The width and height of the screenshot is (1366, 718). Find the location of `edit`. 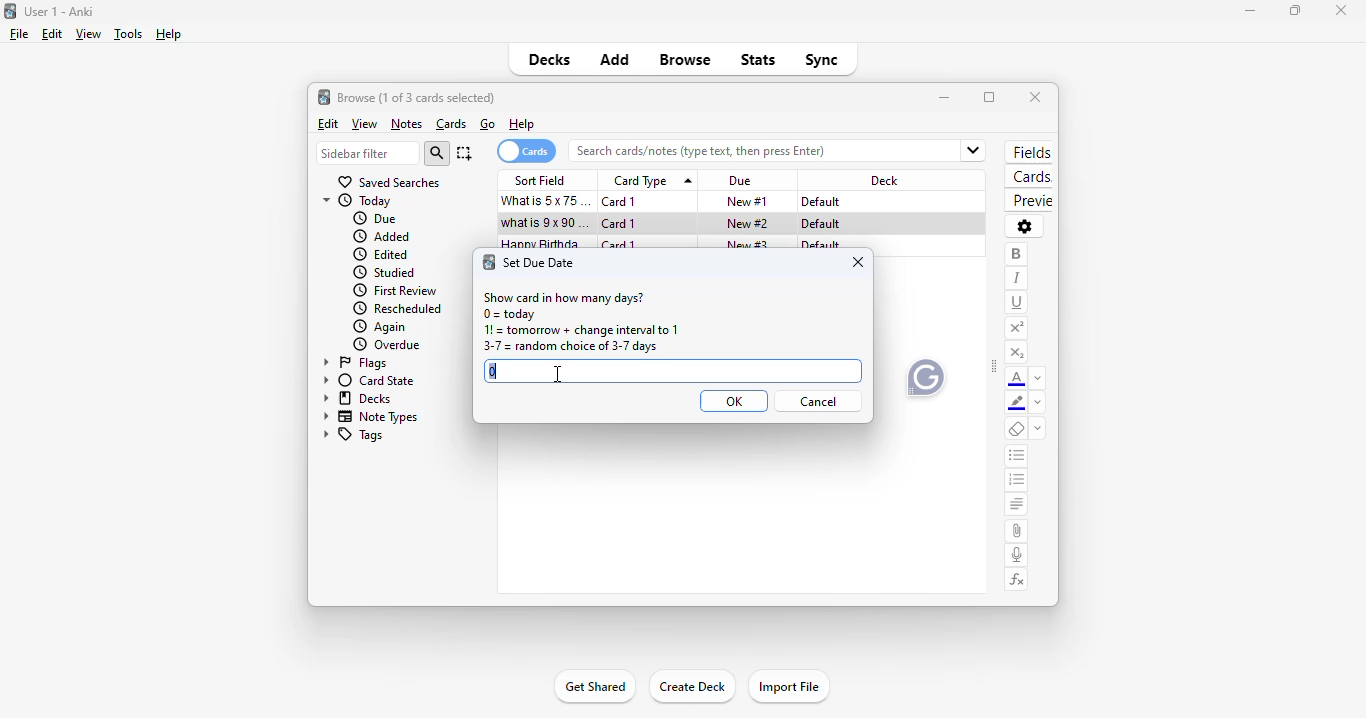

edit is located at coordinates (53, 34).